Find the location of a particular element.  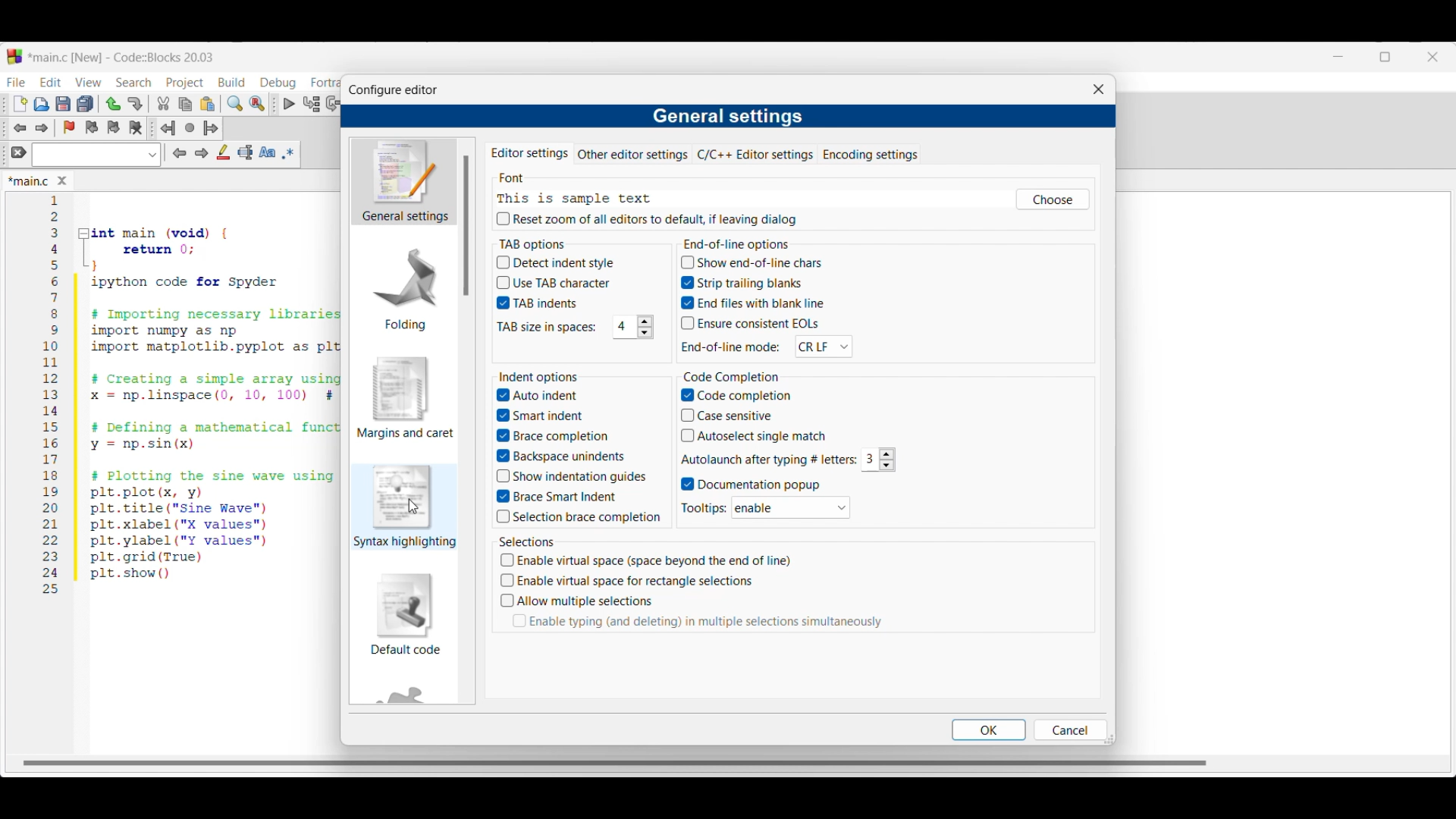

Jump forward is located at coordinates (211, 128).